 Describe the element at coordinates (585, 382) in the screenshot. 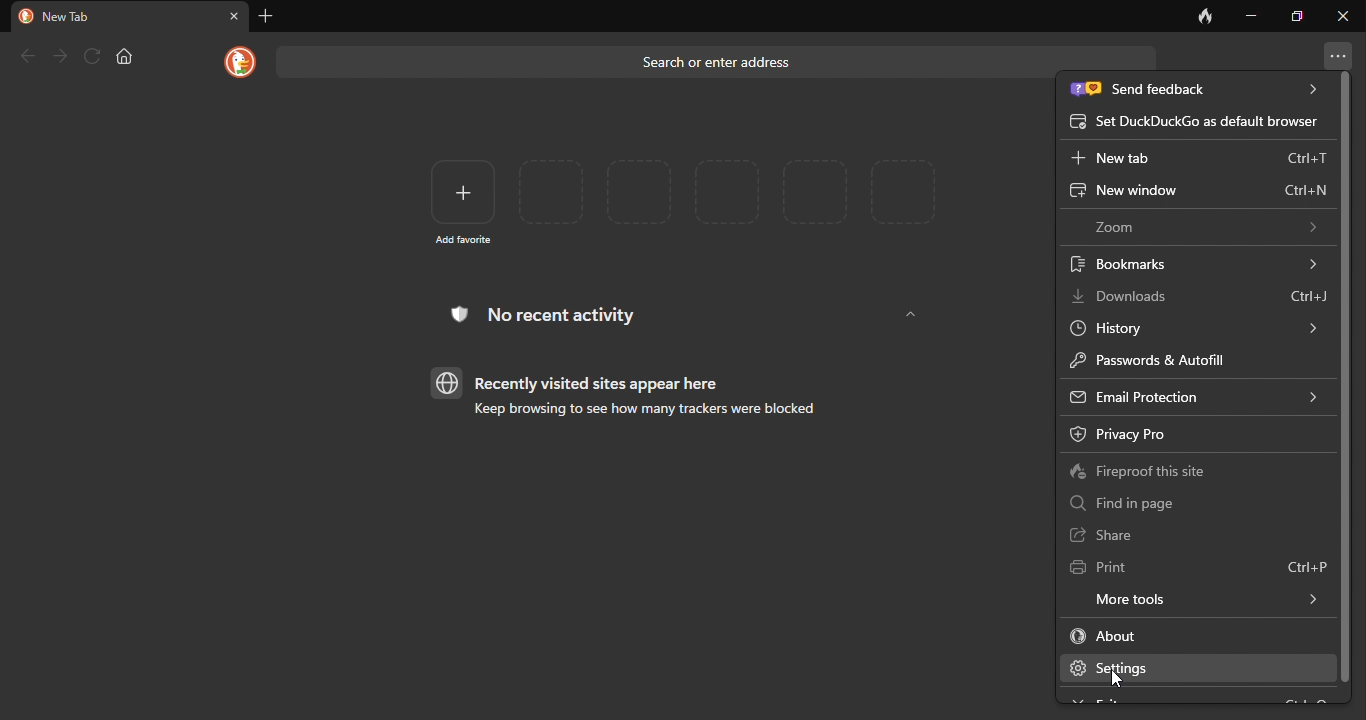

I see `recently visited sites appear here` at that location.